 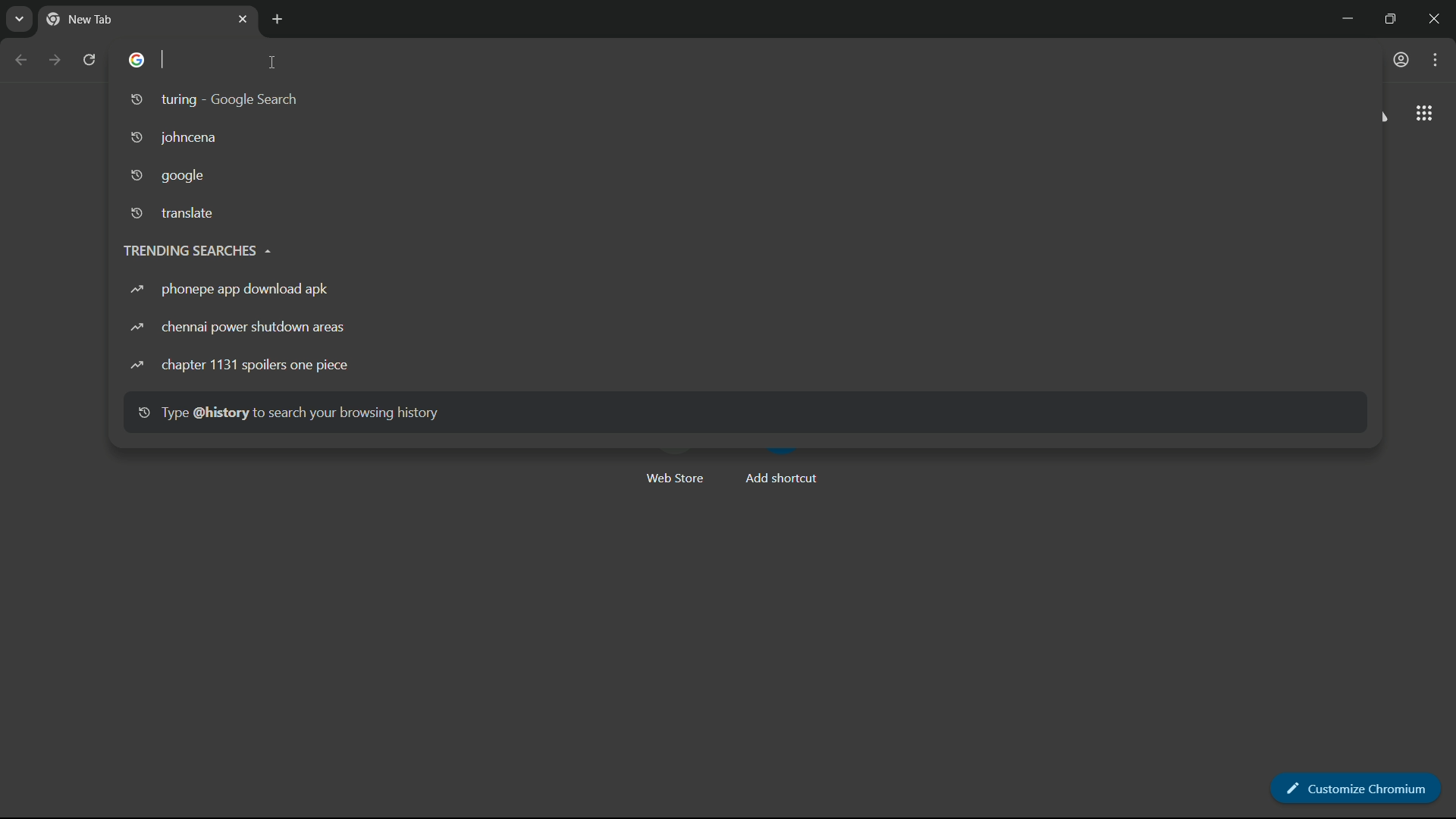 What do you see at coordinates (215, 101) in the screenshot?
I see `turing google search` at bounding box center [215, 101].